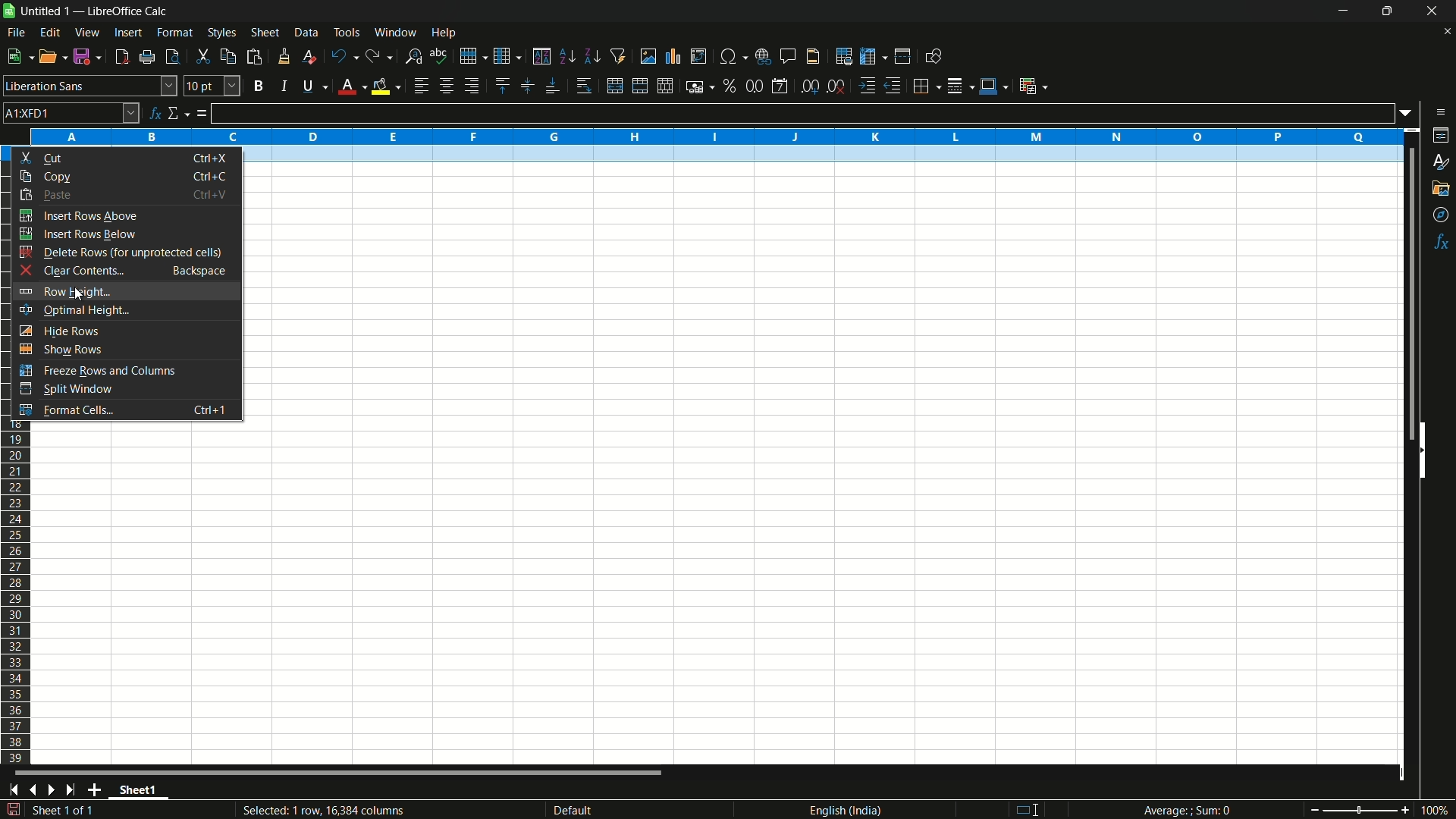 This screenshot has height=819, width=1456. I want to click on scroll to last sheet, so click(75, 790).